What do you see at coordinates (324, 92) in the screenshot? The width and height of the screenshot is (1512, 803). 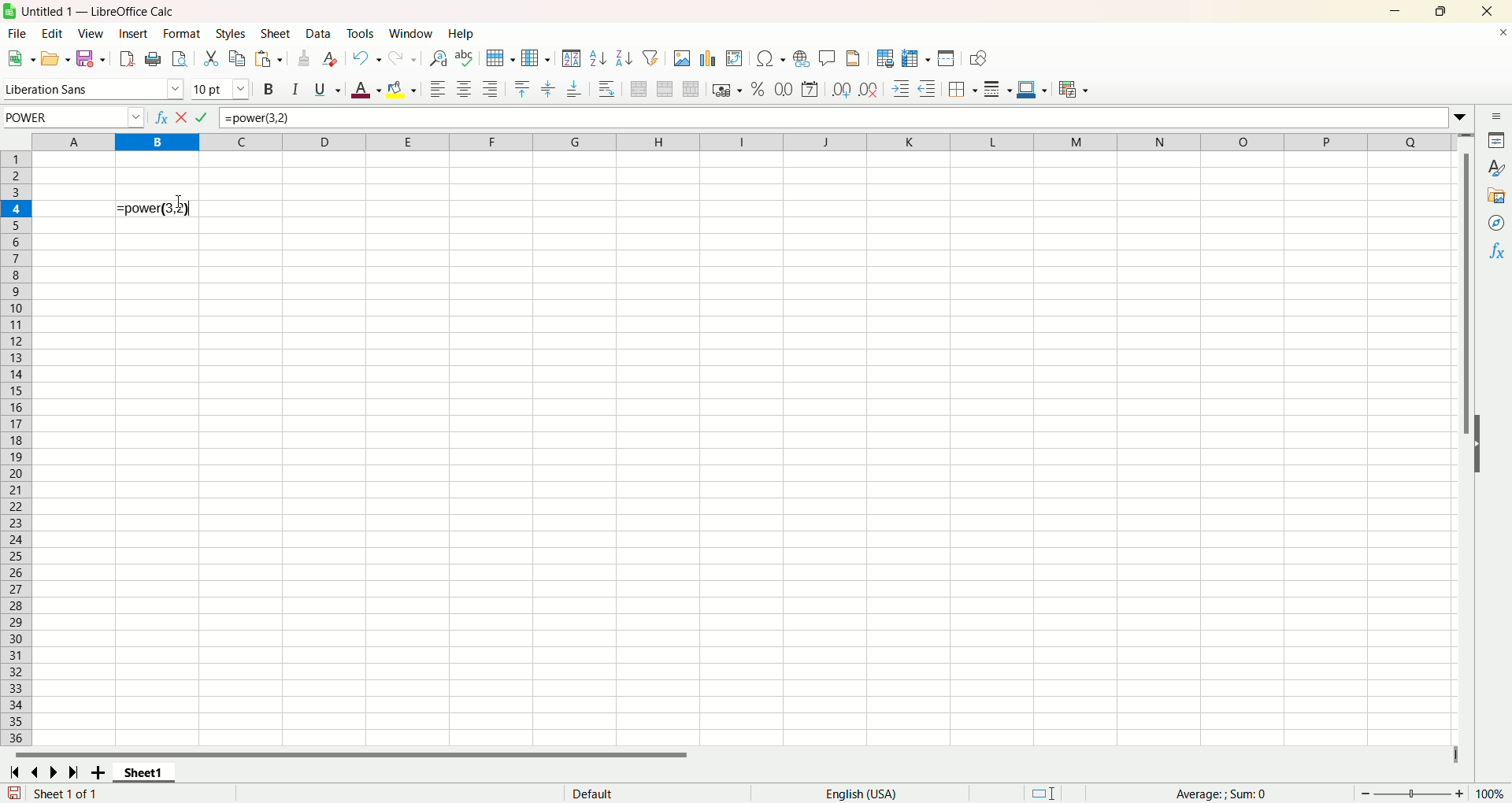 I see `underline` at bounding box center [324, 92].